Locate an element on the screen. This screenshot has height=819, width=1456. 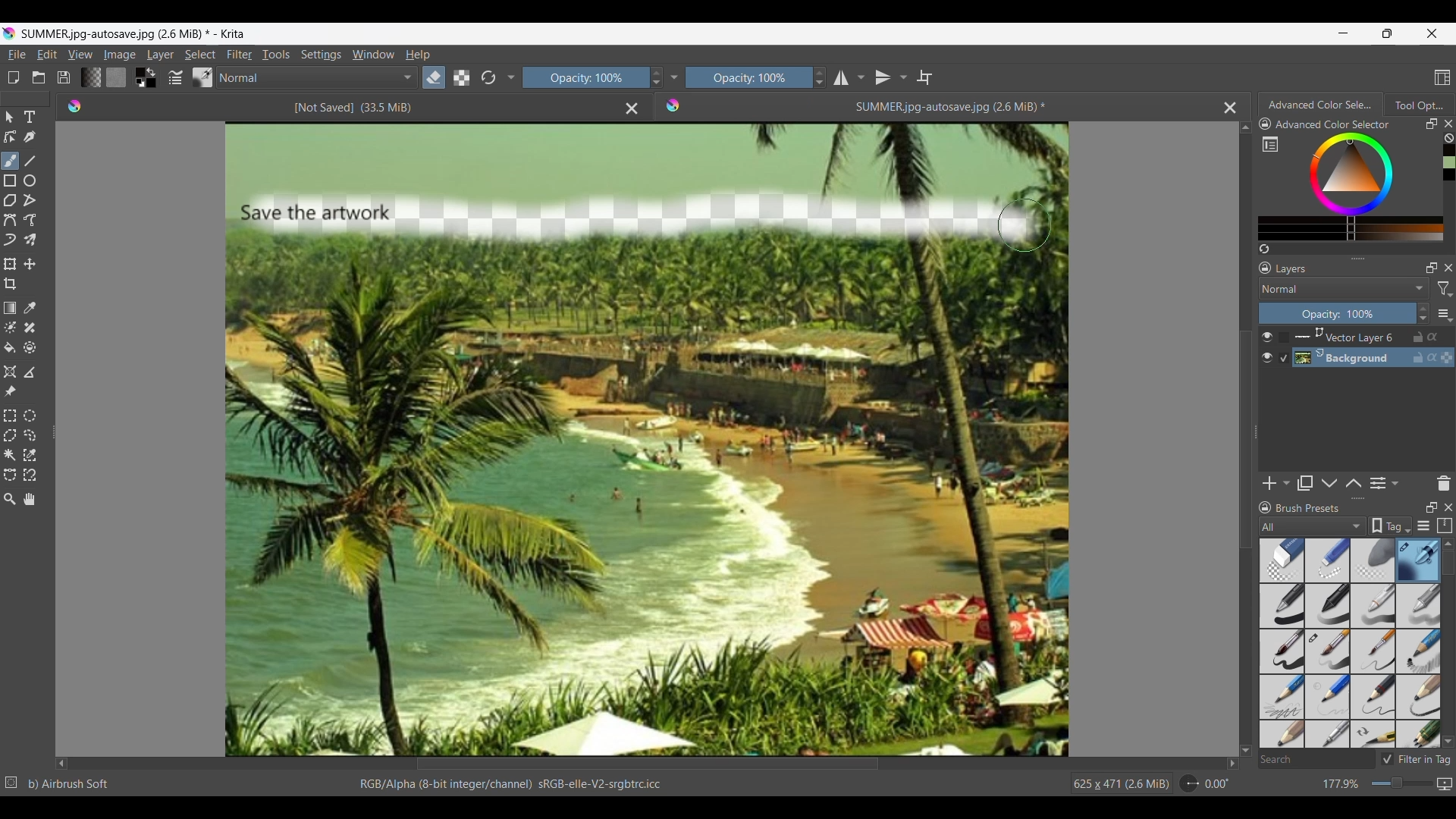
Tools is located at coordinates (276, 55).